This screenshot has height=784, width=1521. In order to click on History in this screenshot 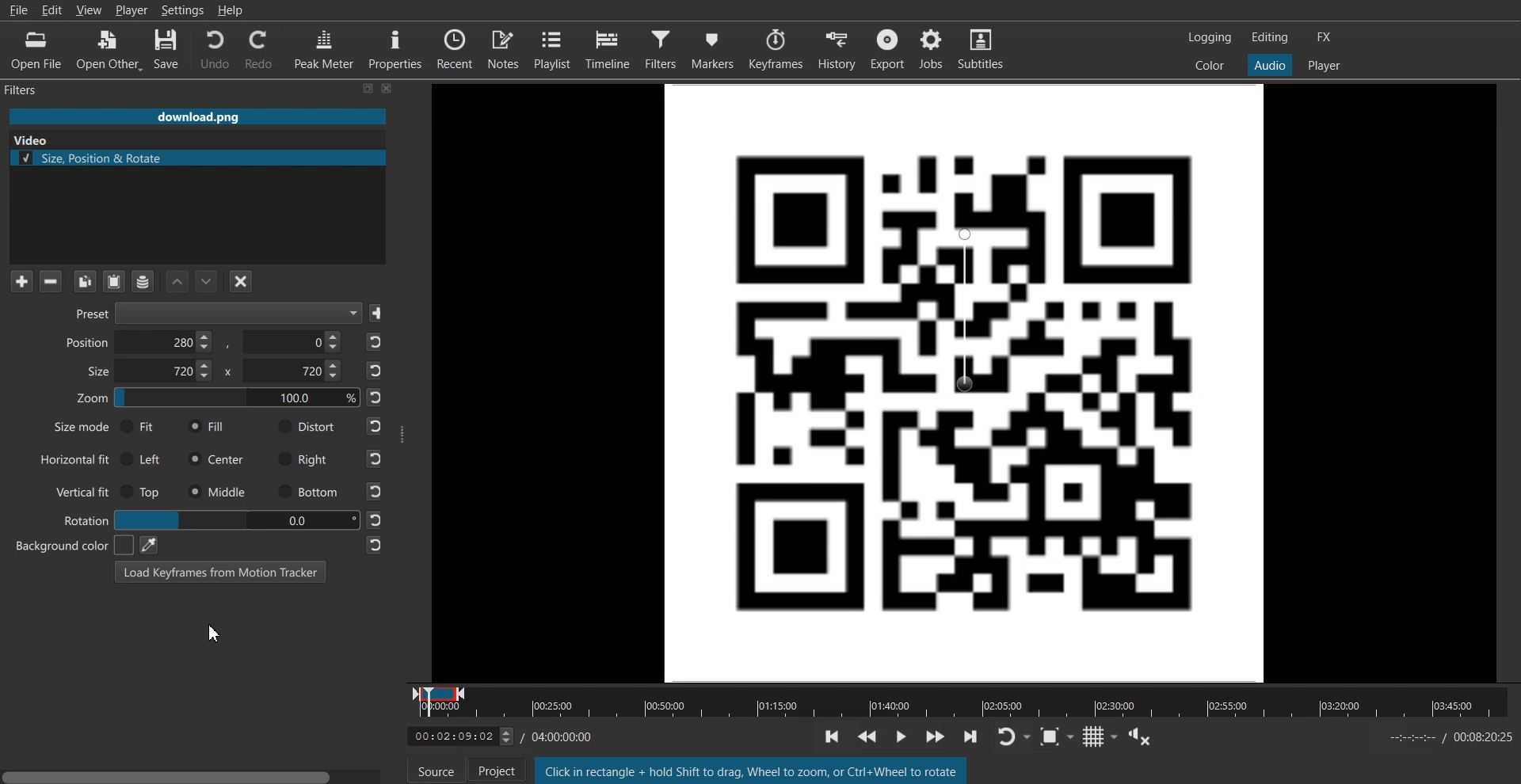, I will do `click(836, 48)`.